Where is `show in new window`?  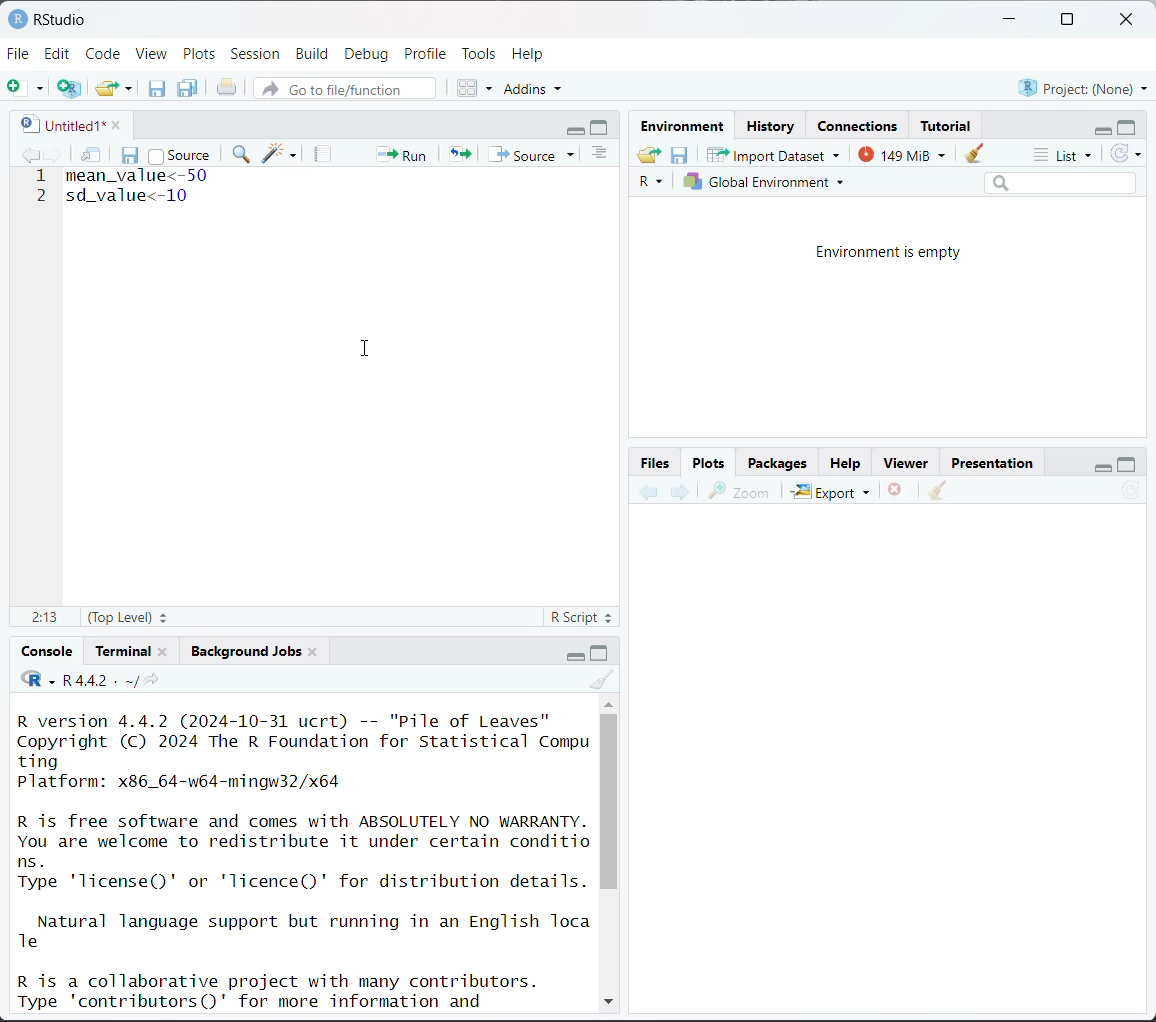
show in new window is located at coordinates (93, 156).